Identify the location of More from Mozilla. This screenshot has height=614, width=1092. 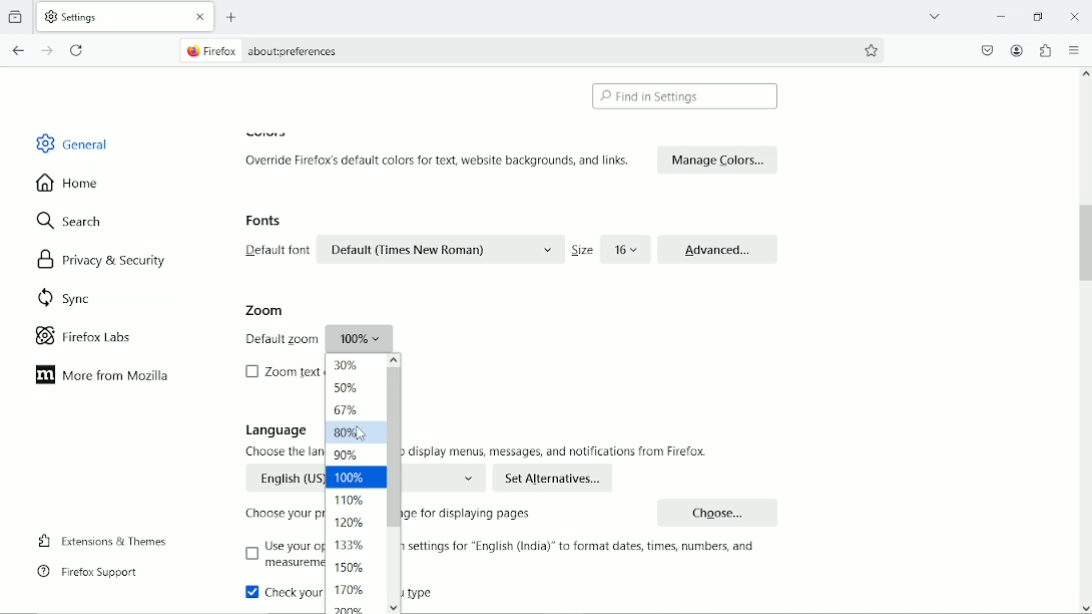
(103, 375).